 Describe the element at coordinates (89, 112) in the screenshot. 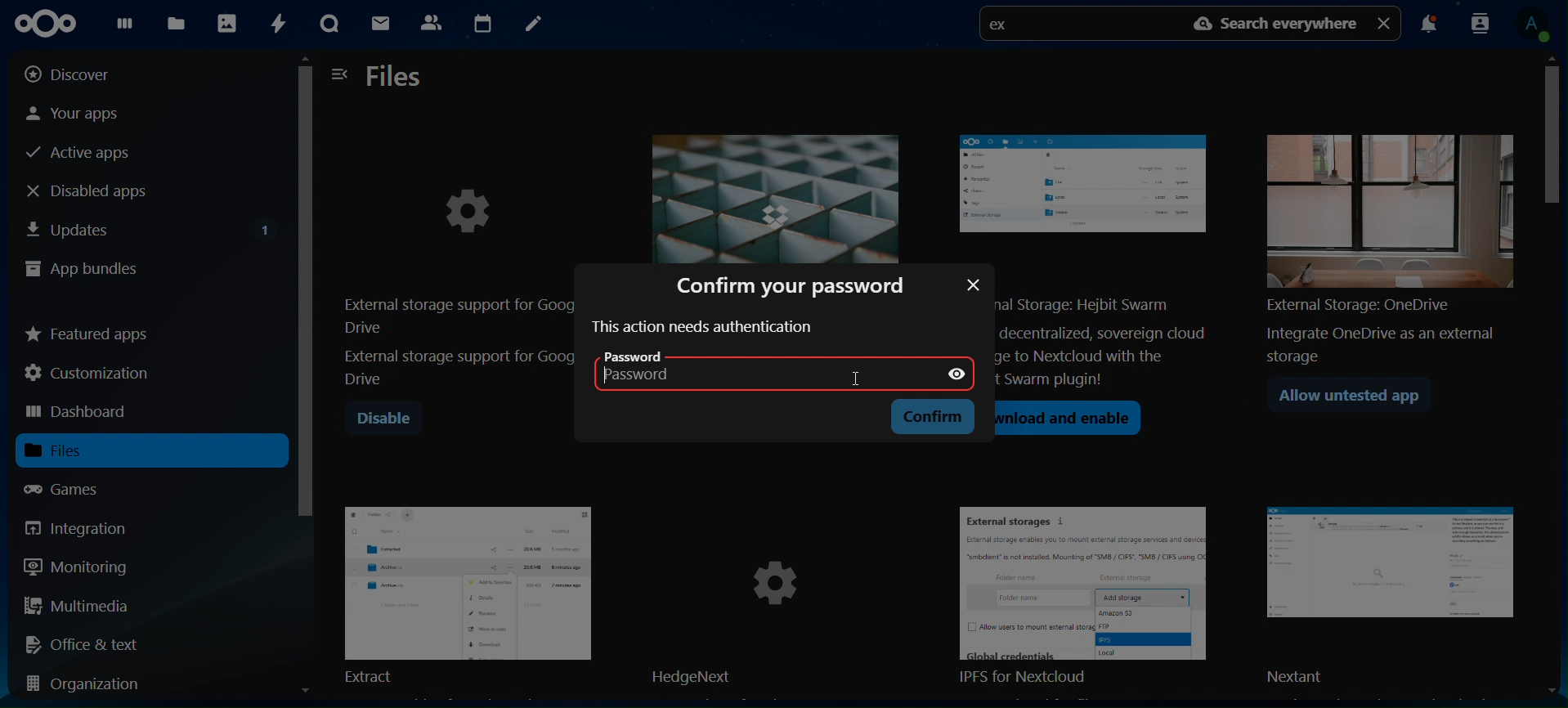

I see `your apps` at that location.